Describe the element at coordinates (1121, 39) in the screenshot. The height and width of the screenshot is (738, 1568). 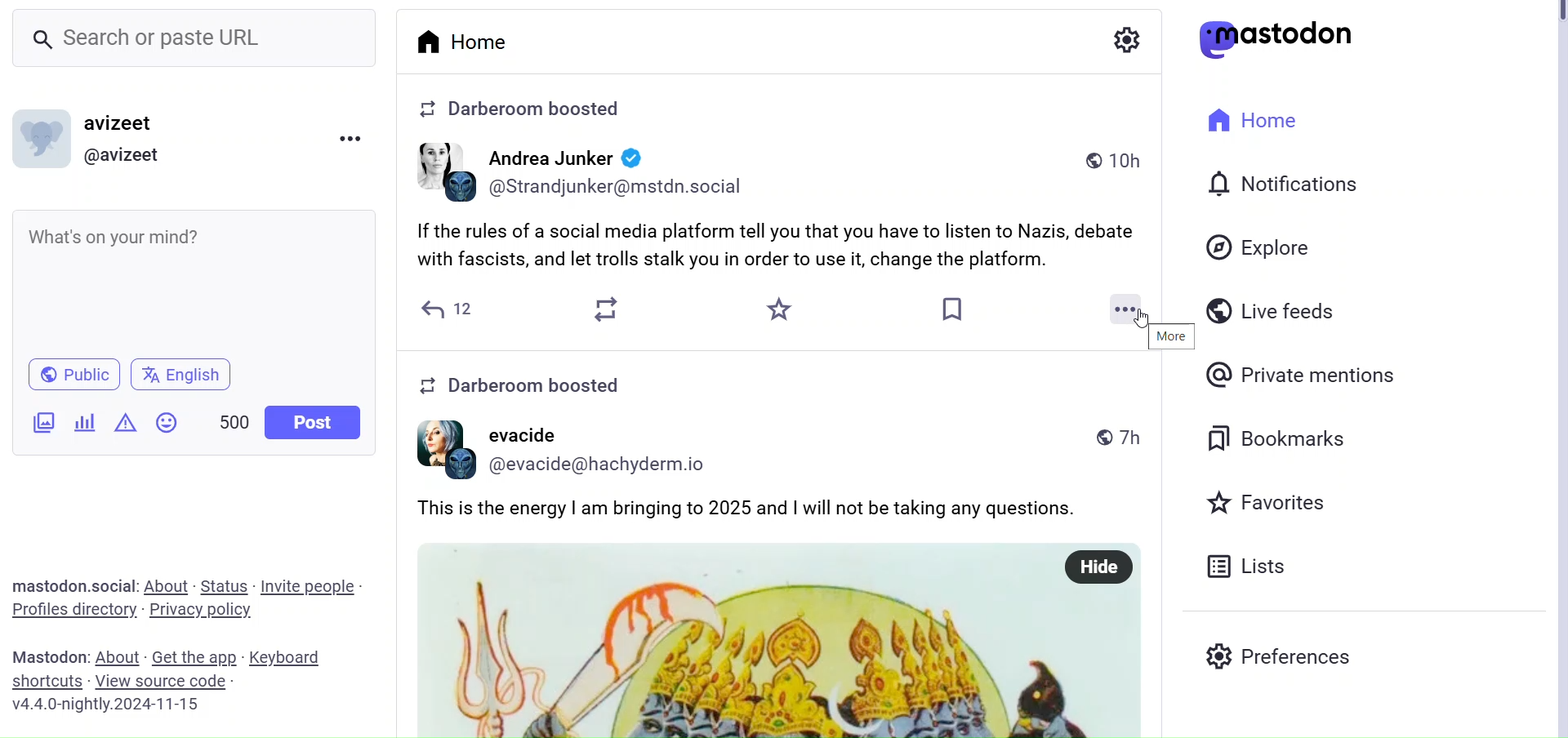
I see `Setting` at that location.